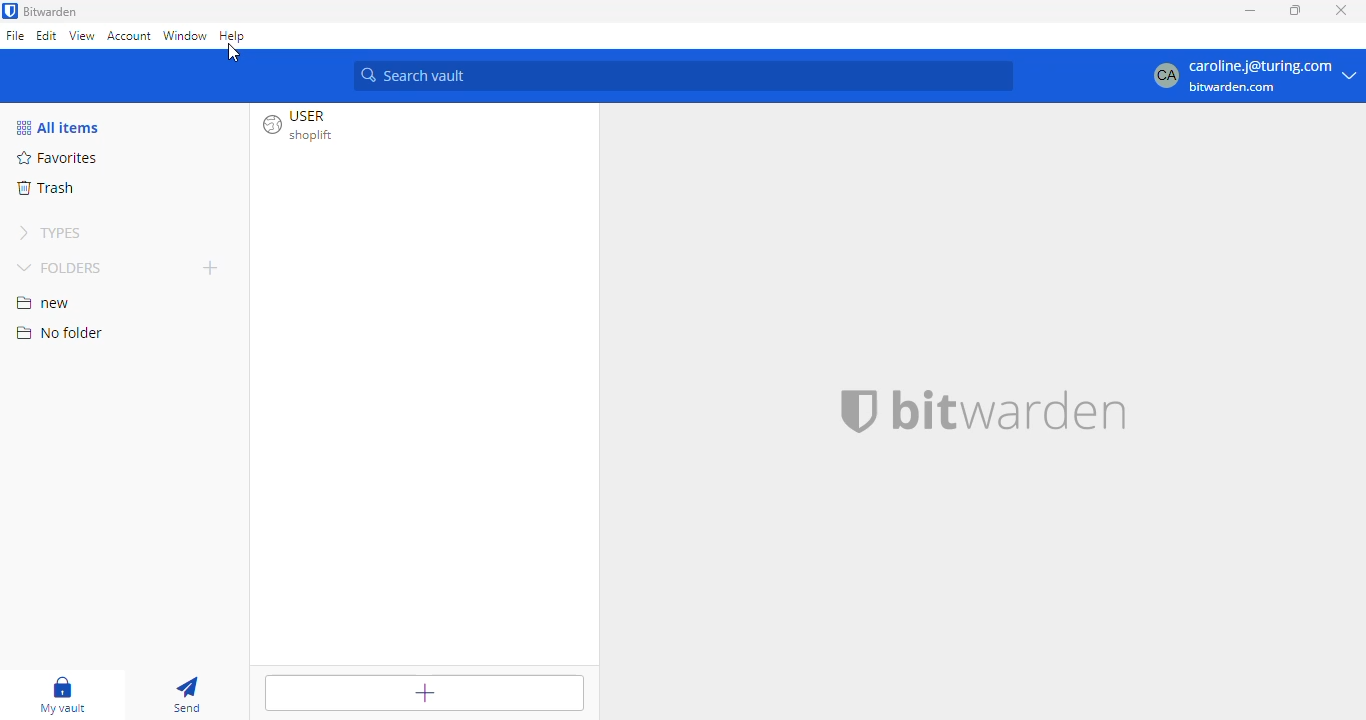  Describe the element at coordinates (1162, 76) in the screenshot. I see `CA` at that location.